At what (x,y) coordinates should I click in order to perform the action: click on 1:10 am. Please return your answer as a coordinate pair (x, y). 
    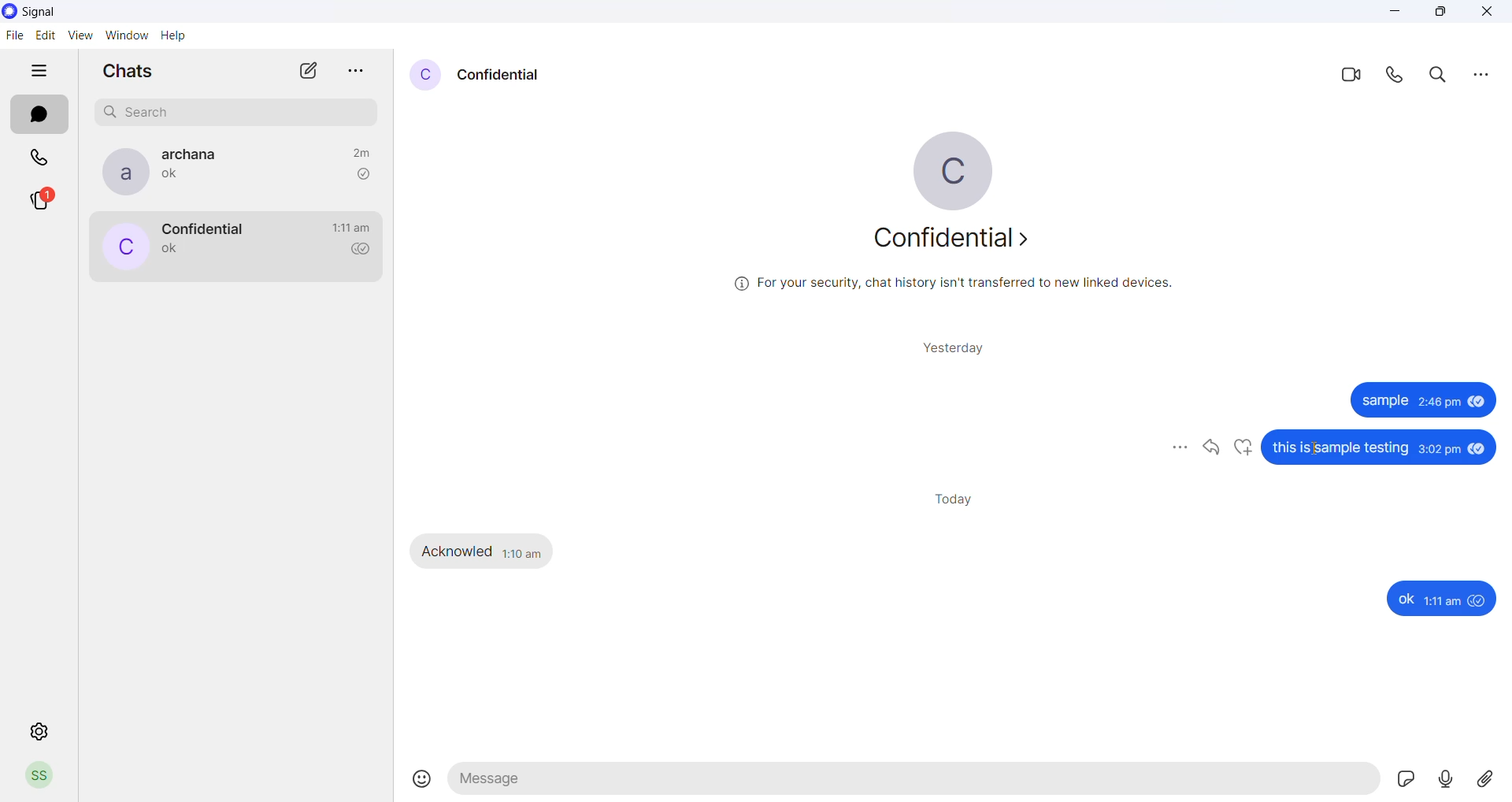
    Looking at the image, I should click on (523, 551).